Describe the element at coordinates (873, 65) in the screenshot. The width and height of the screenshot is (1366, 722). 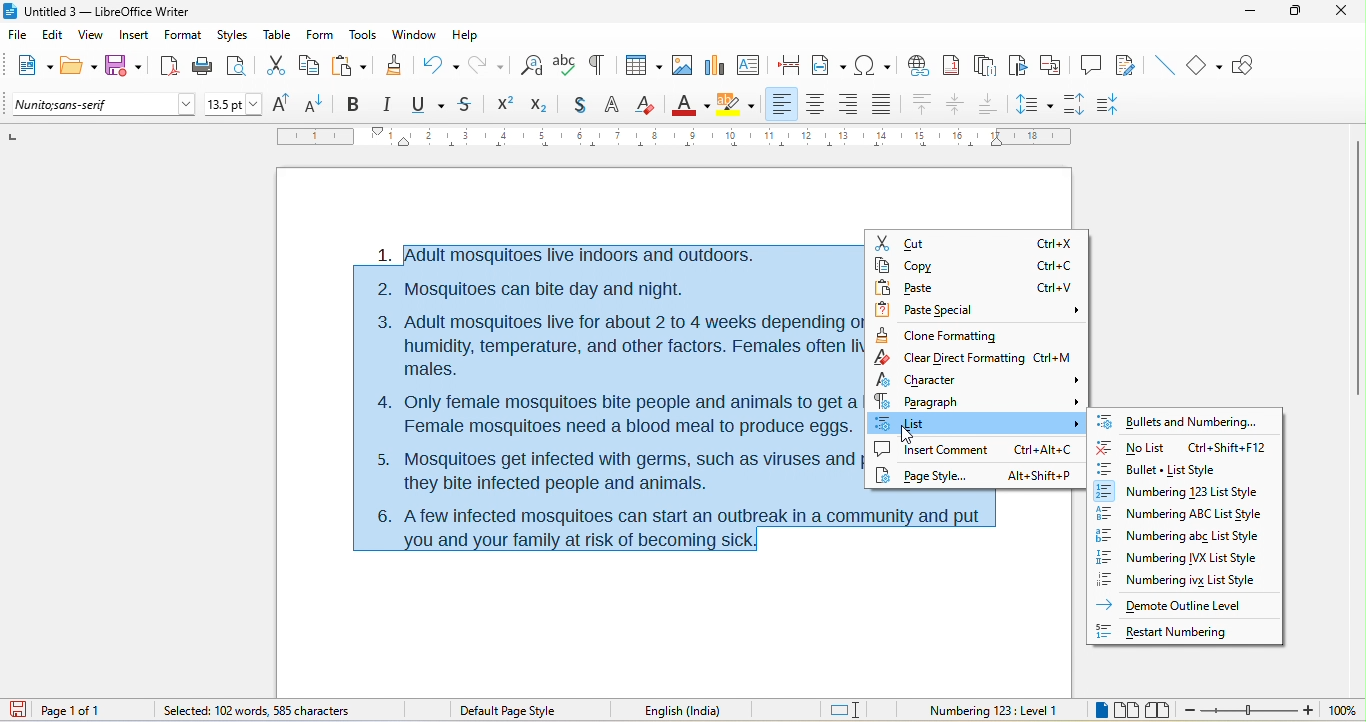
I see `special character` at that location.